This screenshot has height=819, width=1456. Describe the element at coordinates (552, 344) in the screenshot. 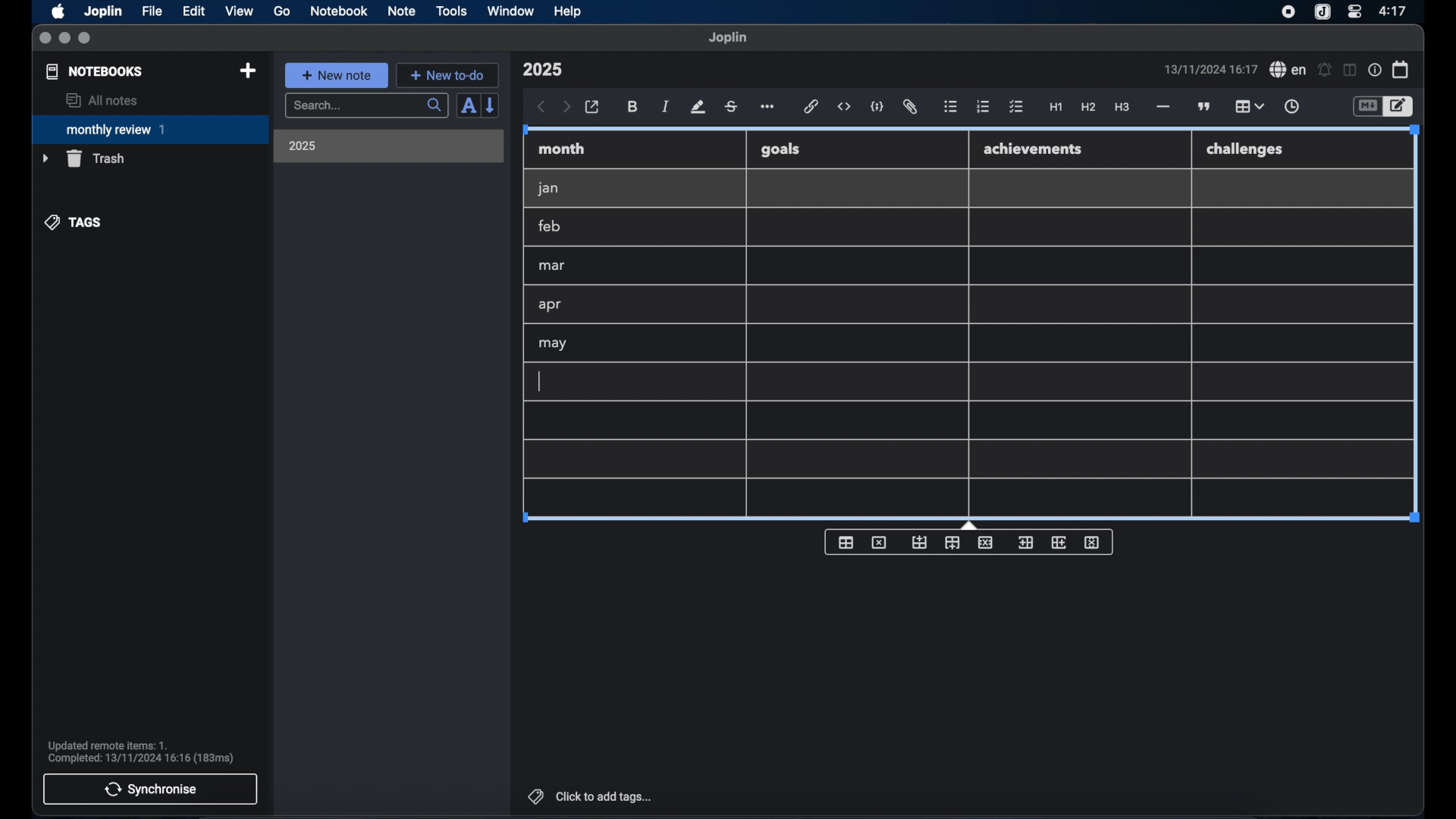

I see `may` at that location.